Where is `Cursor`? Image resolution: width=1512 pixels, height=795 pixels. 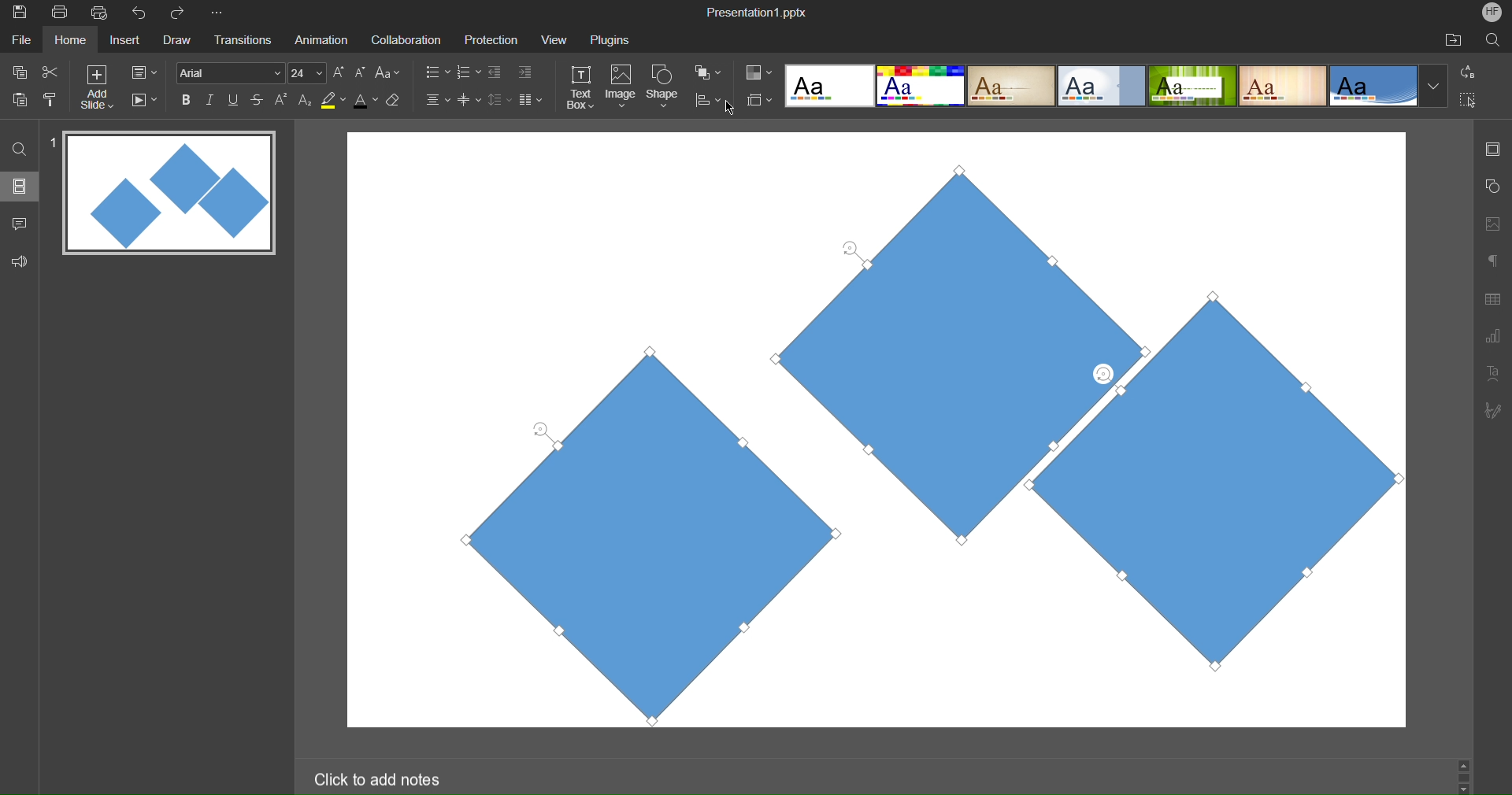
Cursor is located at coordinates (733, 108).